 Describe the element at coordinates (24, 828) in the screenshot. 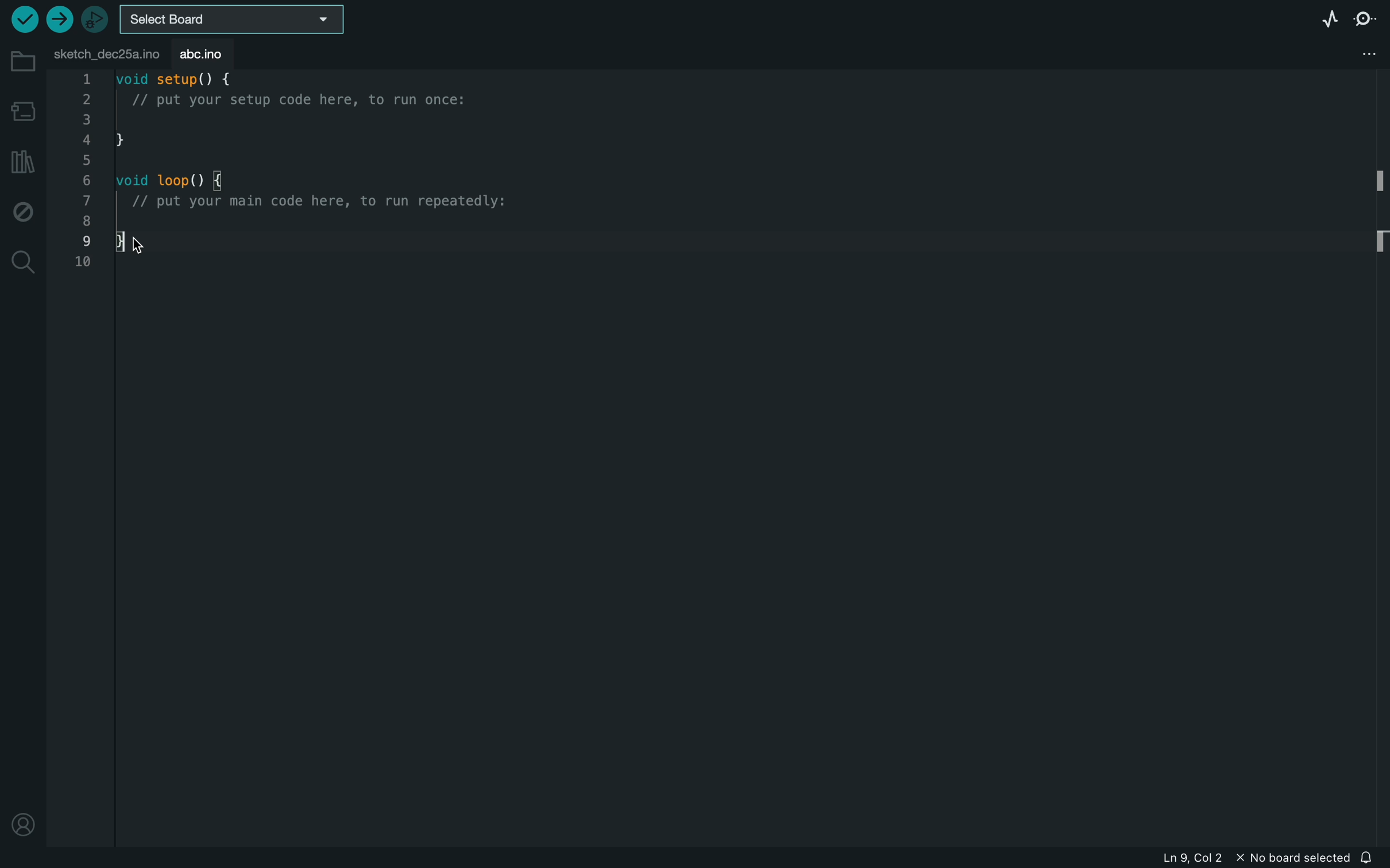

I see `profile` at that location.